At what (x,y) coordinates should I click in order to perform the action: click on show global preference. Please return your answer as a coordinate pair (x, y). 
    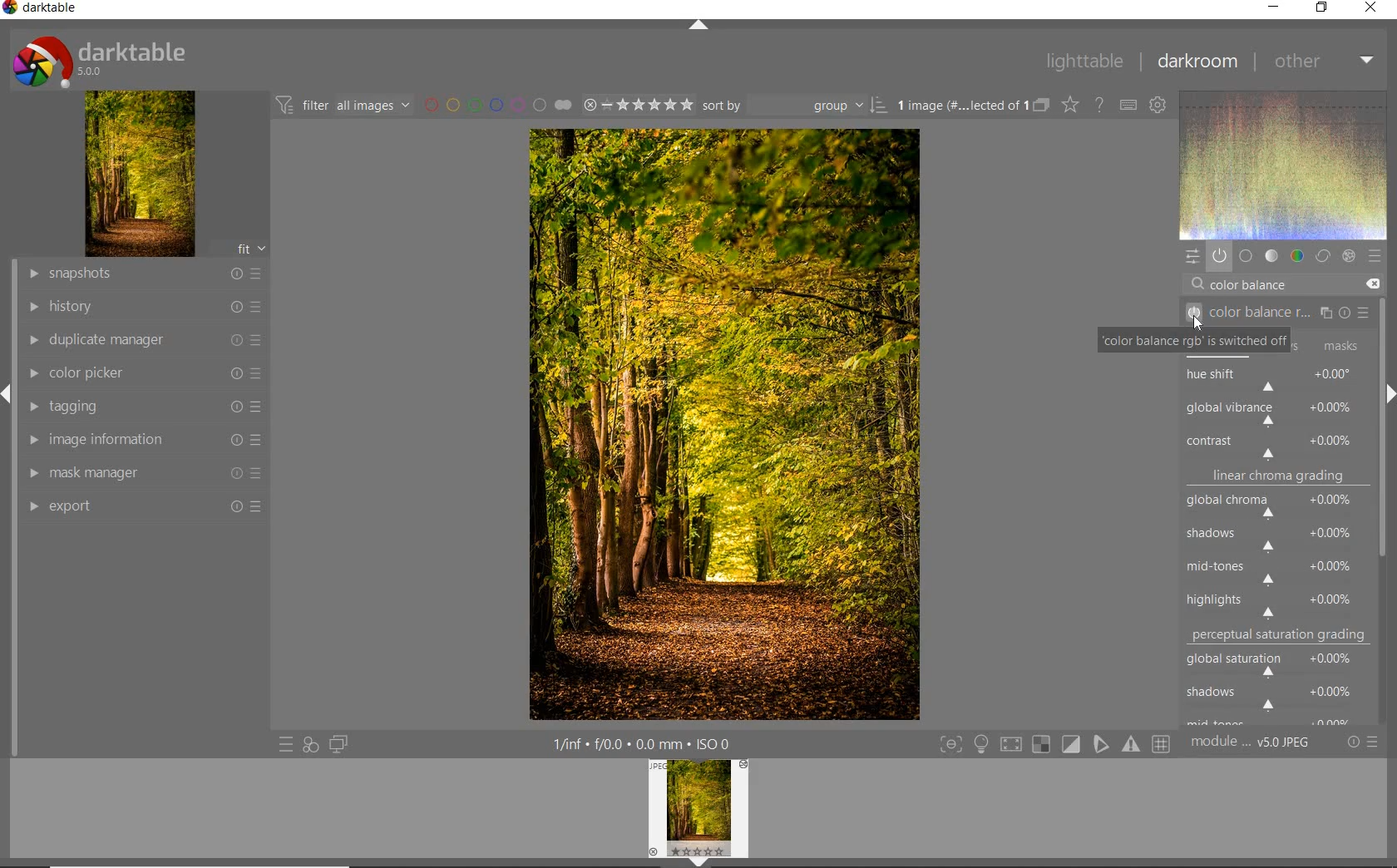
    Looking at the image, I should click on (1159, 106).